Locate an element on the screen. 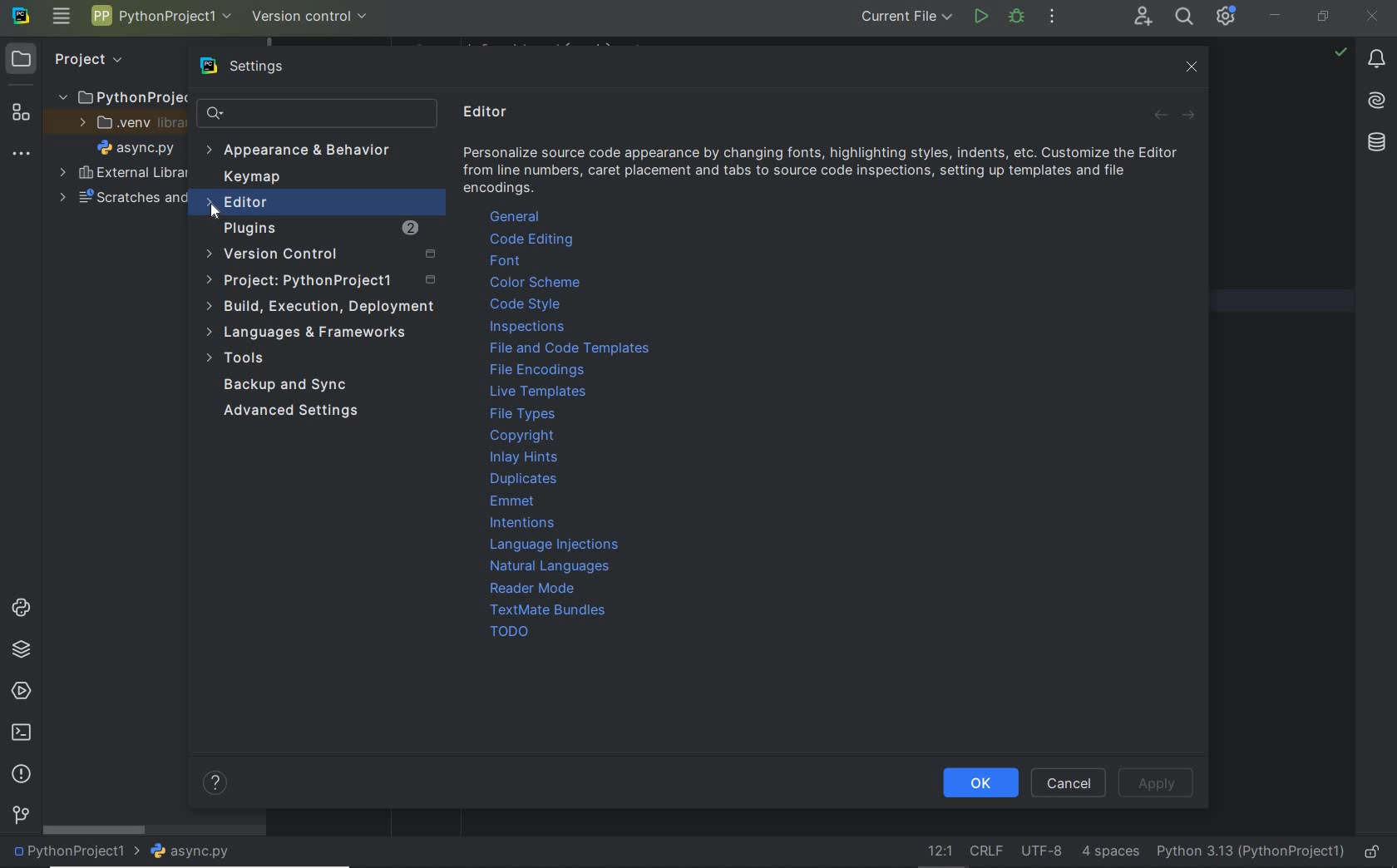 The height and width of the screenshot is (868, 1397). close is located at coordinates (1194, 70).